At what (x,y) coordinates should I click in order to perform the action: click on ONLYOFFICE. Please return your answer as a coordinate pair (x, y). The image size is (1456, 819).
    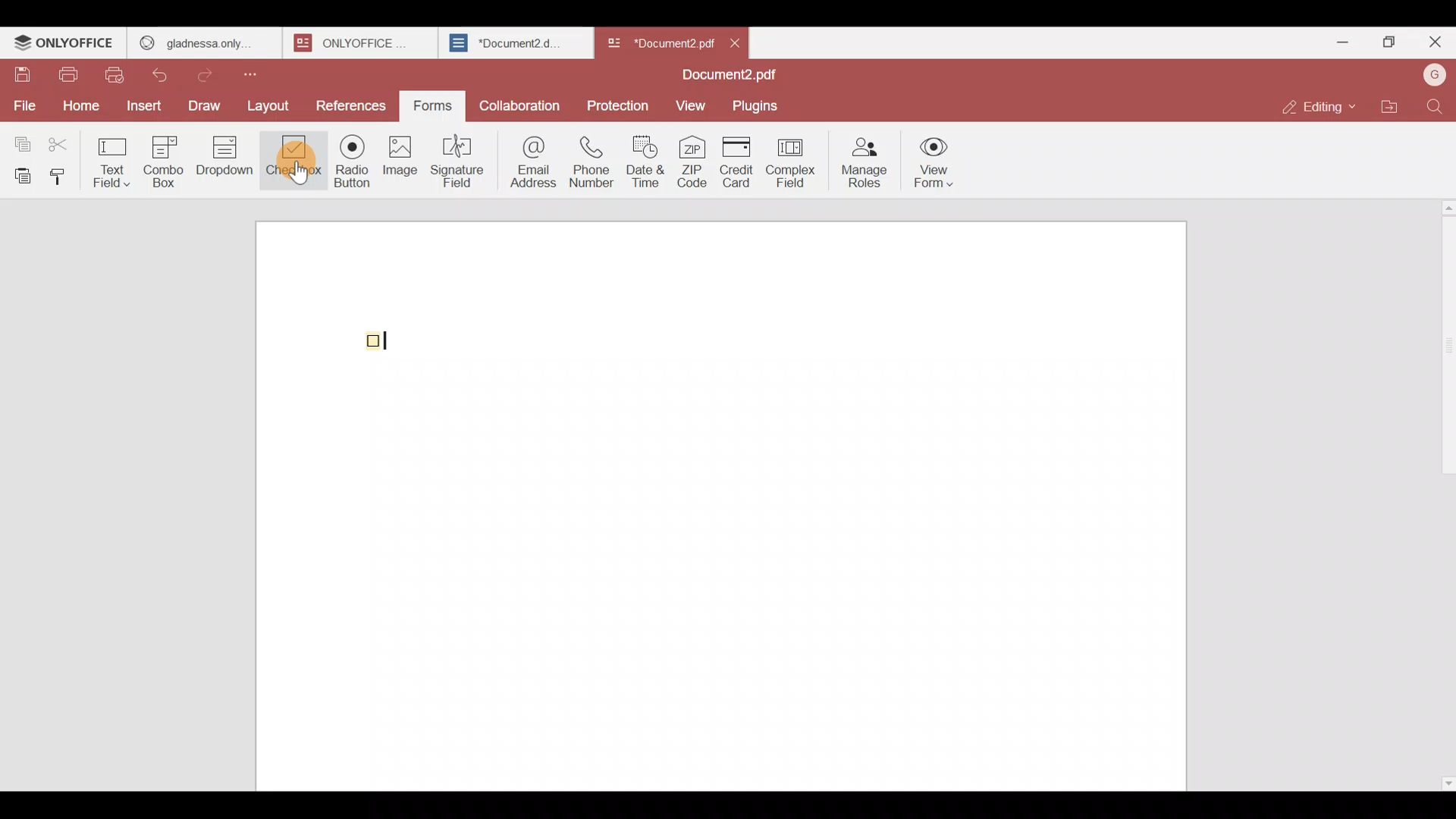
    Looking at the image, I should click on (64, 45).